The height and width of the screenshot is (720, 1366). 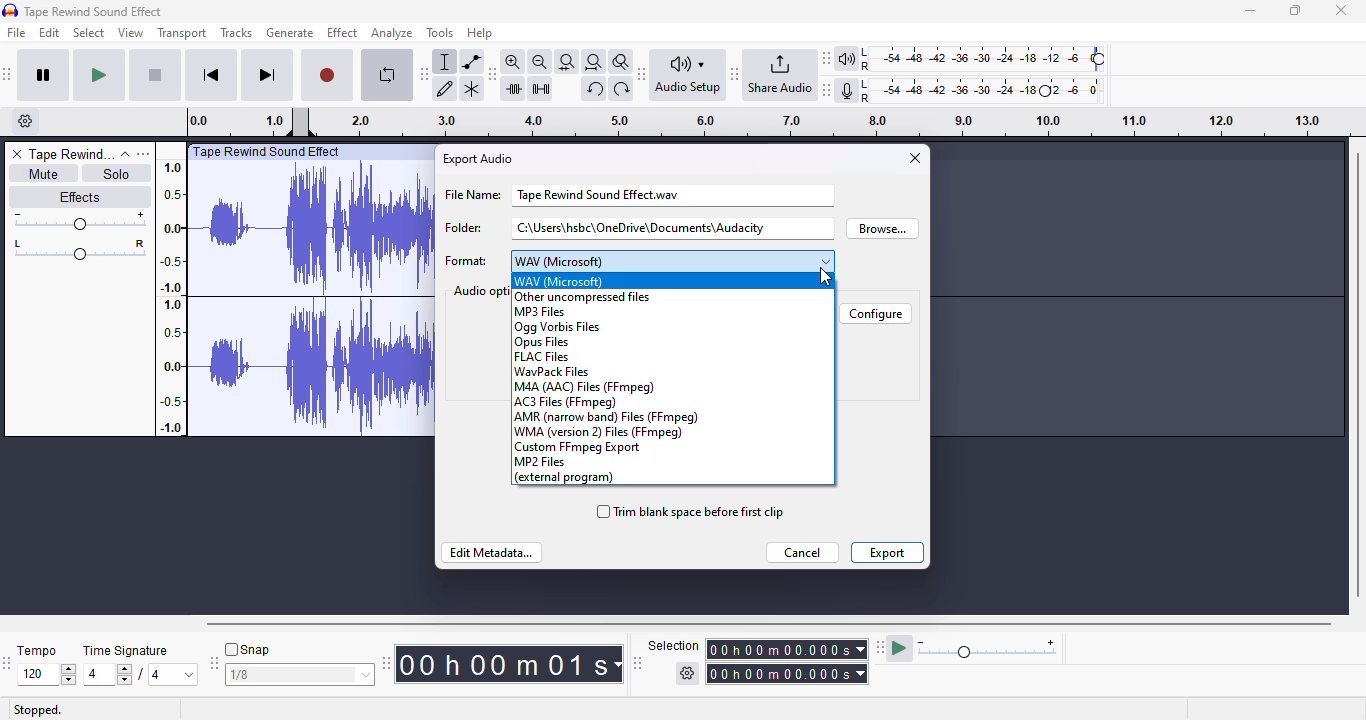 I want to click on undo, so click(x=594, y=89).